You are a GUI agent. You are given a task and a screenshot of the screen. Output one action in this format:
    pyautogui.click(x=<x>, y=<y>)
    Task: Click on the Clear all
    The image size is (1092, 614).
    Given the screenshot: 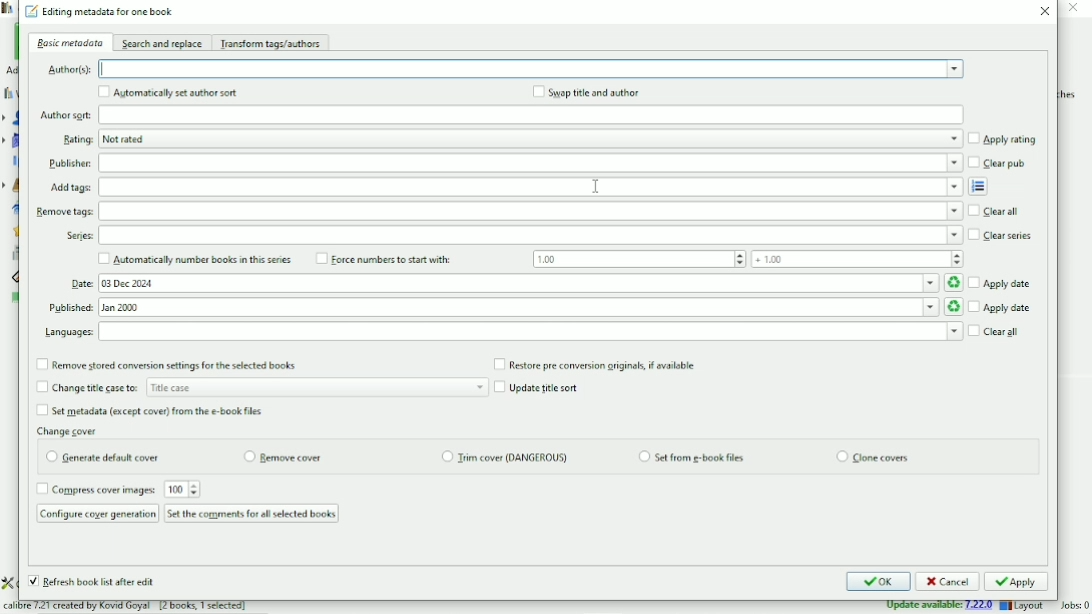 What is the action you would take?
    pyautogui.click(x=996, y=331)
    